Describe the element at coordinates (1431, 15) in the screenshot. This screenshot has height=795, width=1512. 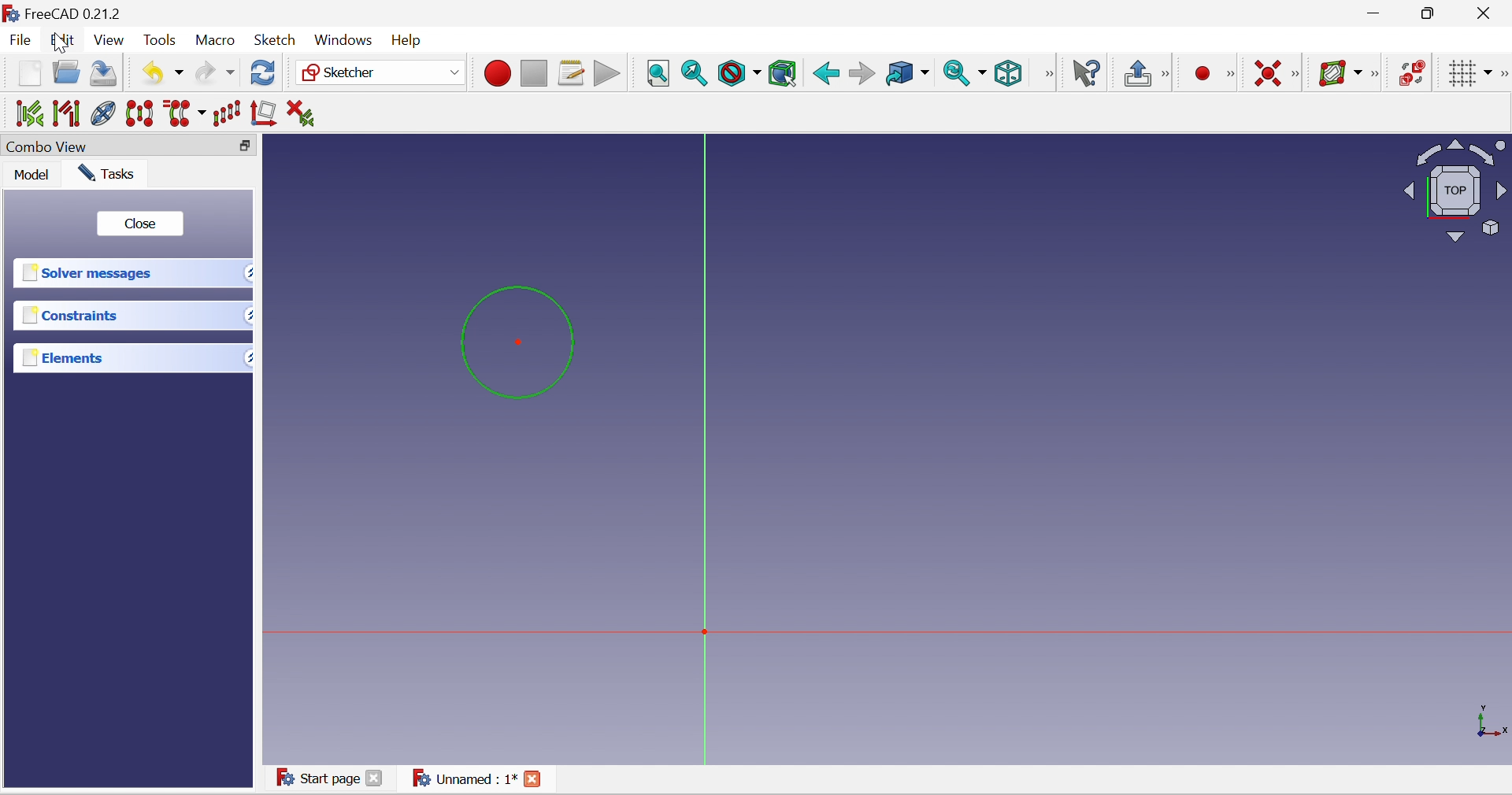
I see `Restore down` at that location.